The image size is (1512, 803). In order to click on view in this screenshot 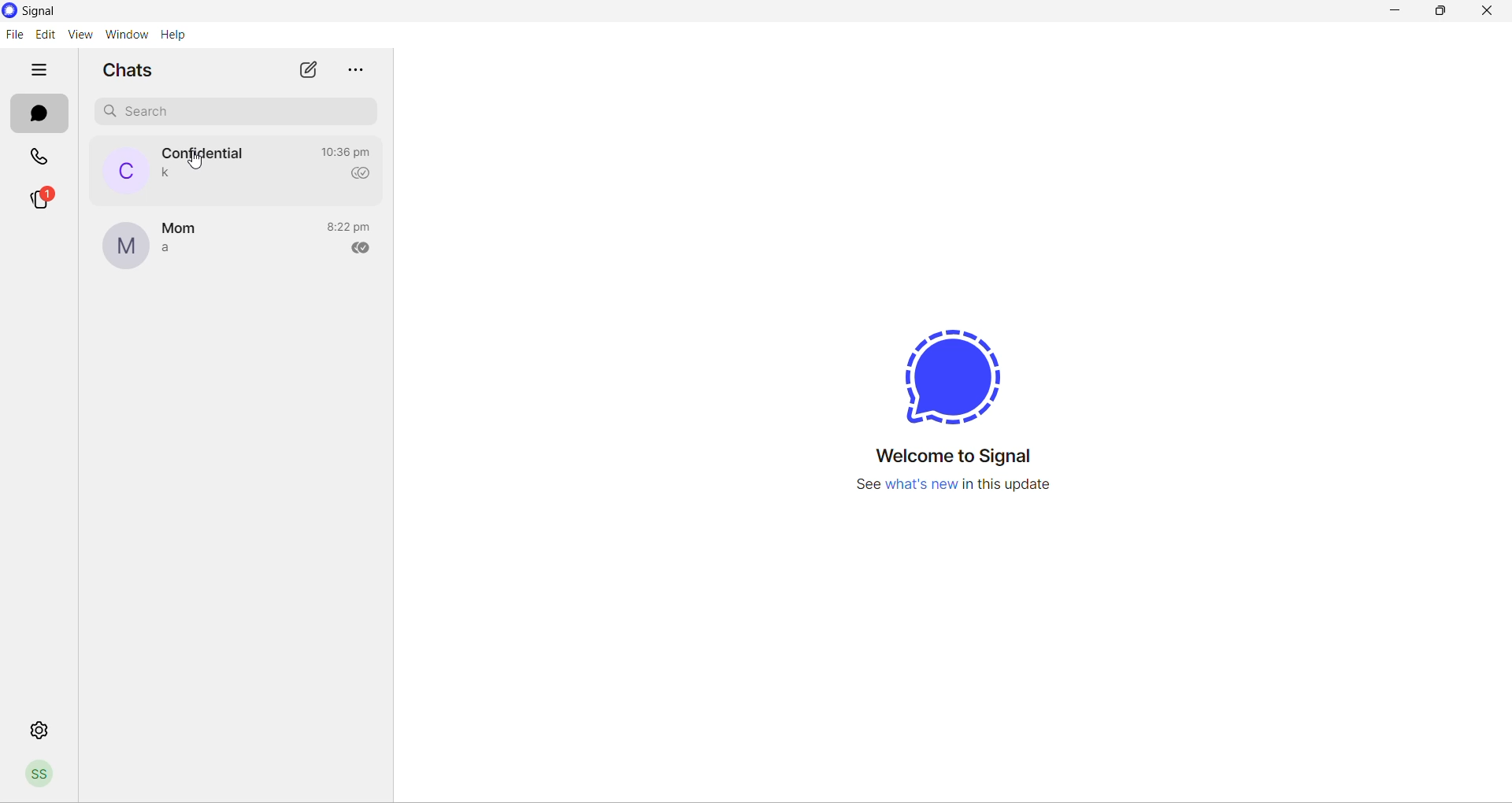, I will do `click(78, 35)`.